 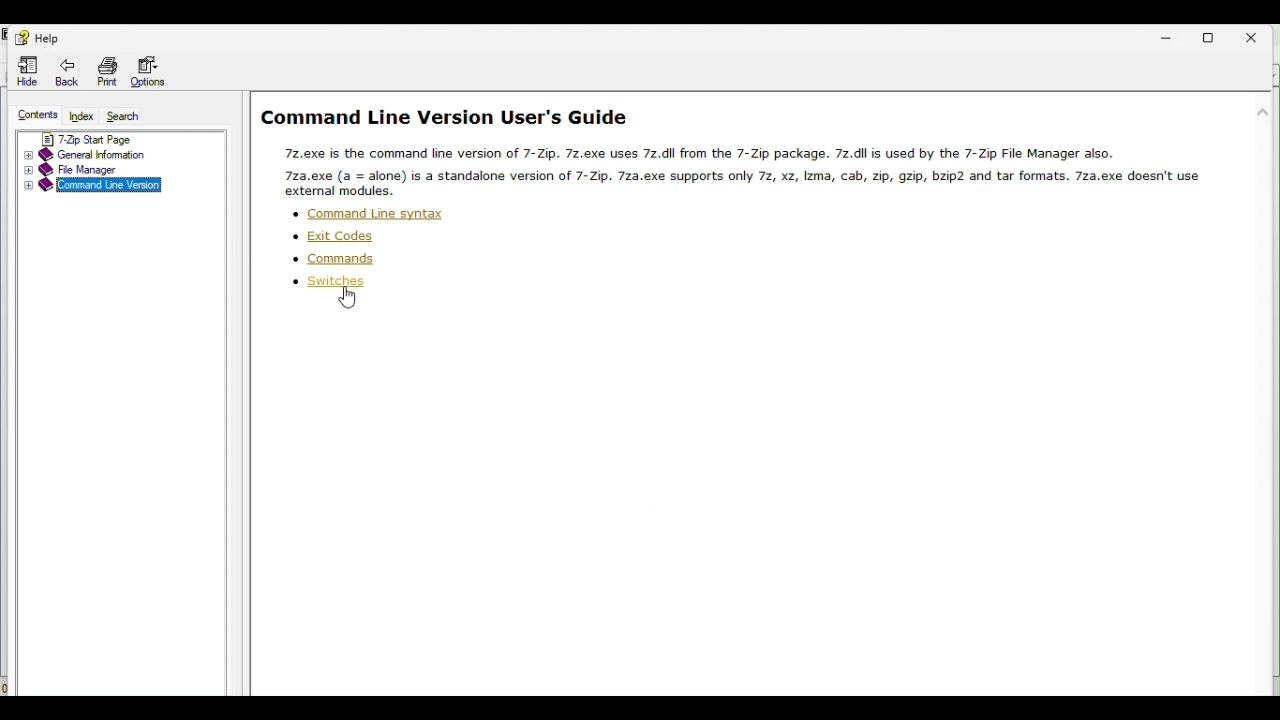 What do you see at coordinates (103, 71) in the screenshot?
I see `Print` at bounding box center [103, 71].